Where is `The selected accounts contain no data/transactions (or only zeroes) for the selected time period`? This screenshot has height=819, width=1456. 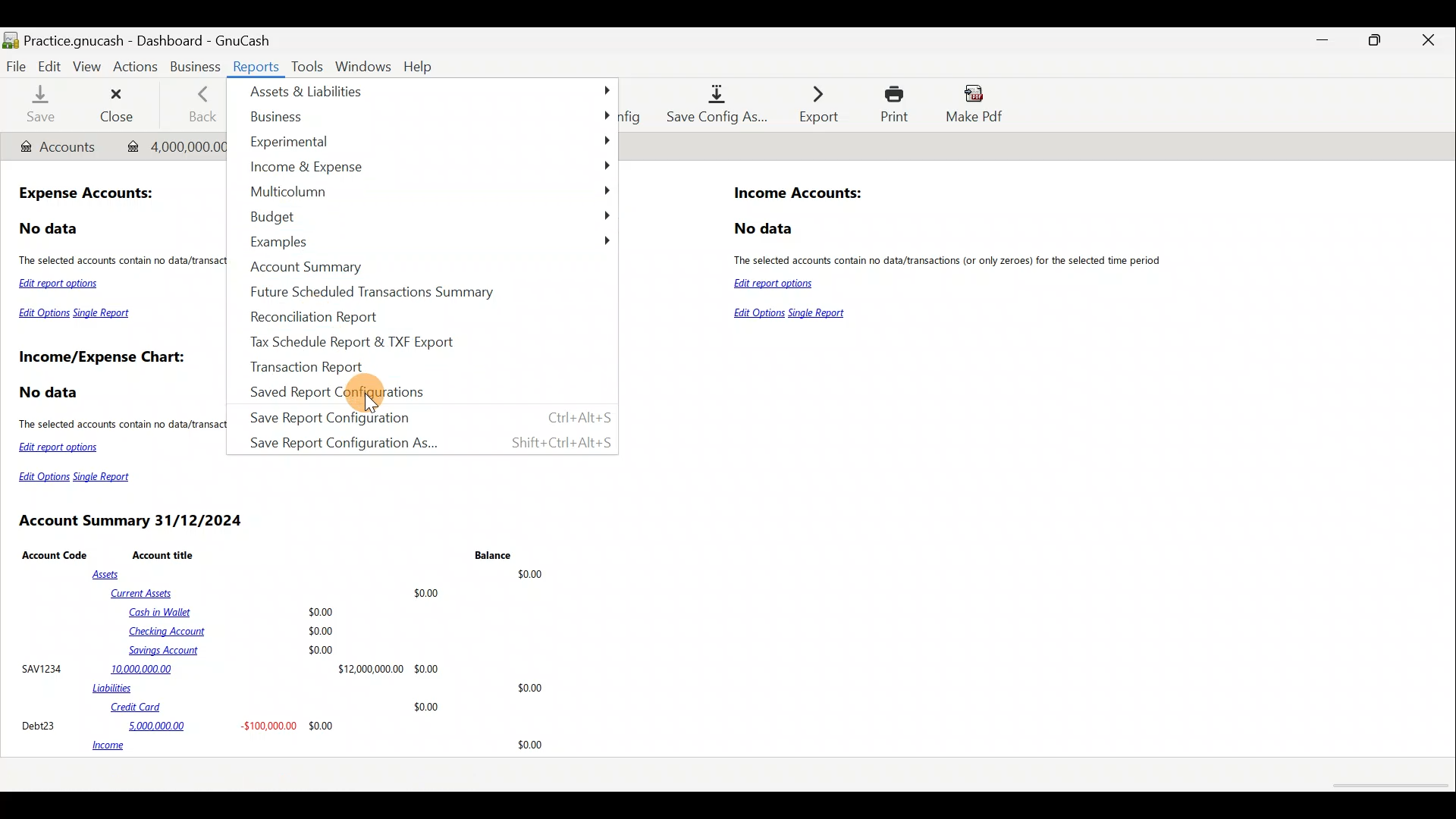
The selected accounts contain no data/transactions (or only zeroes) for the selected time period is located at coordinates (123, 426).